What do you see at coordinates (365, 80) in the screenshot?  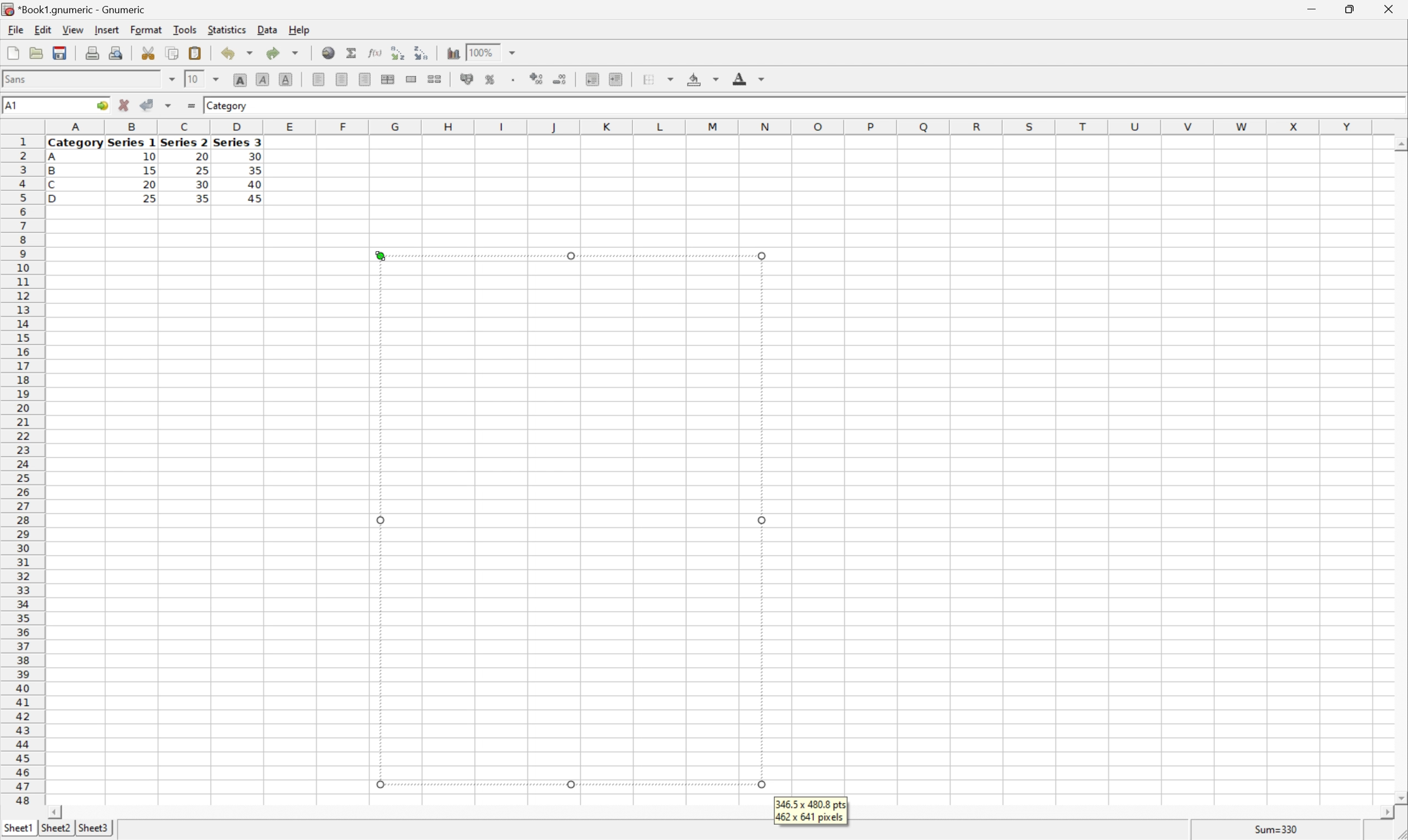 I see `Align Right` at bounding box center [365, 80].